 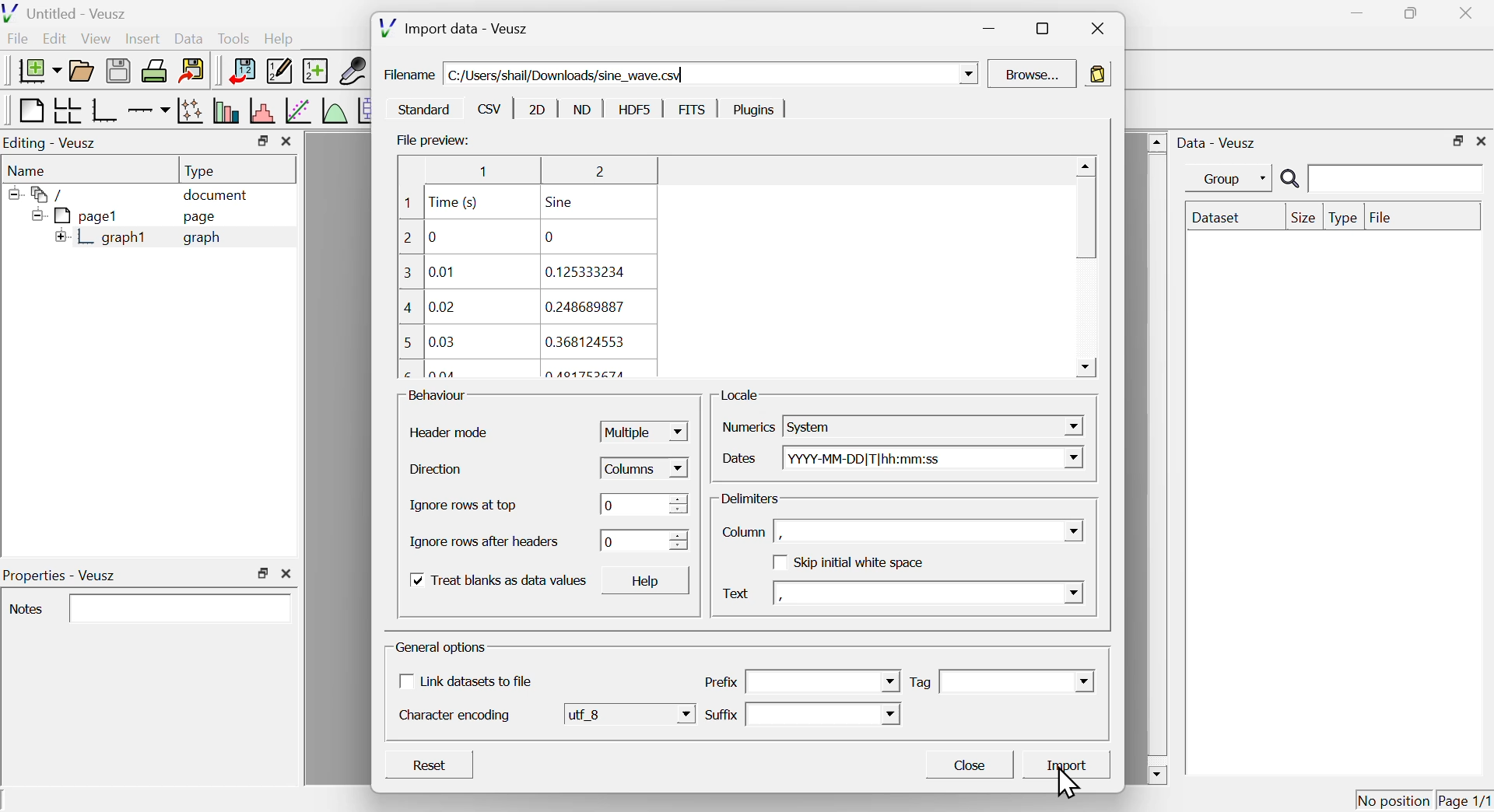 I want to click on Multiple , so click(x=641, y=433).